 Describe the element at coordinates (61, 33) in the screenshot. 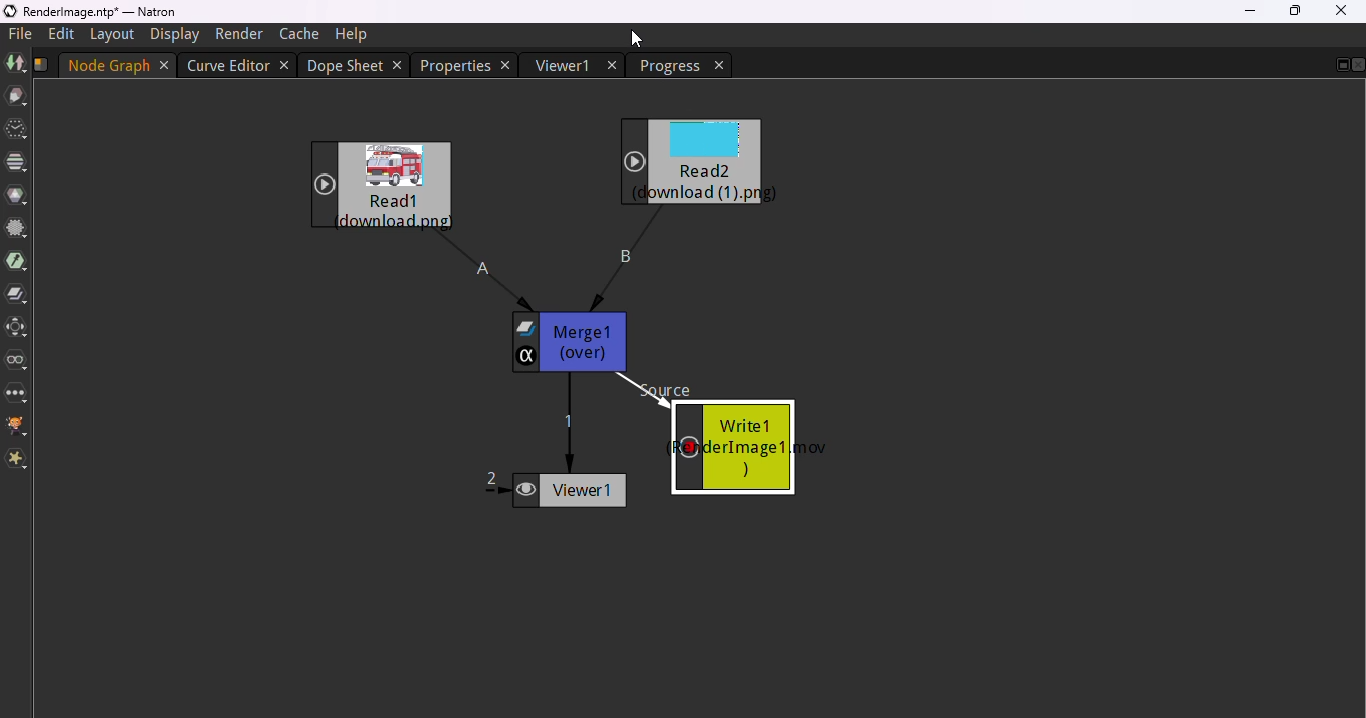

I see `edit` at that location.